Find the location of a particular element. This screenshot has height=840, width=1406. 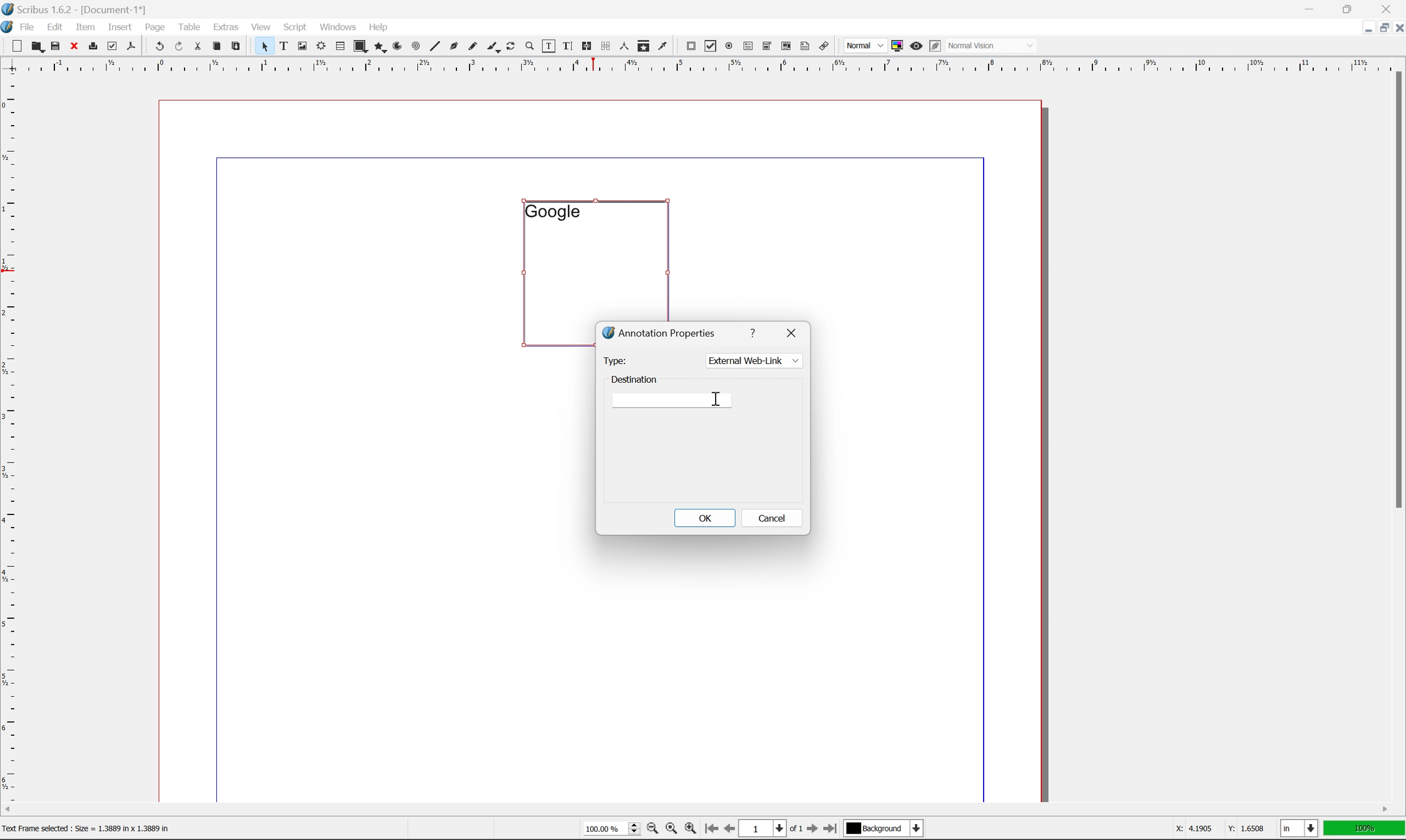

select frame is located at coordinates (264, 48).